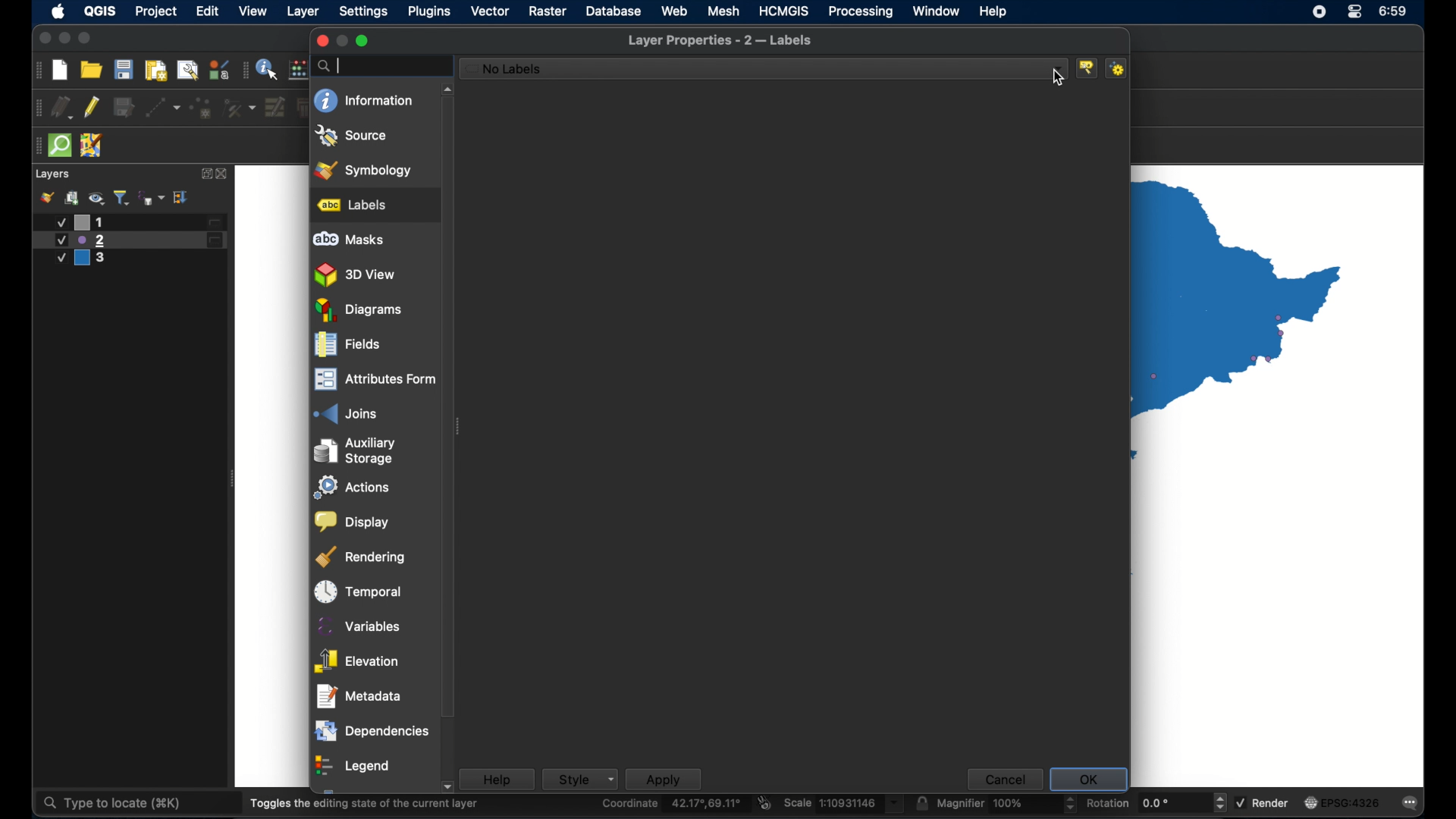 The height and width of the screenshot is (819, 1456). Describe the element at coordinates (548, 11) in the screenshot. I see `raster` at that location.